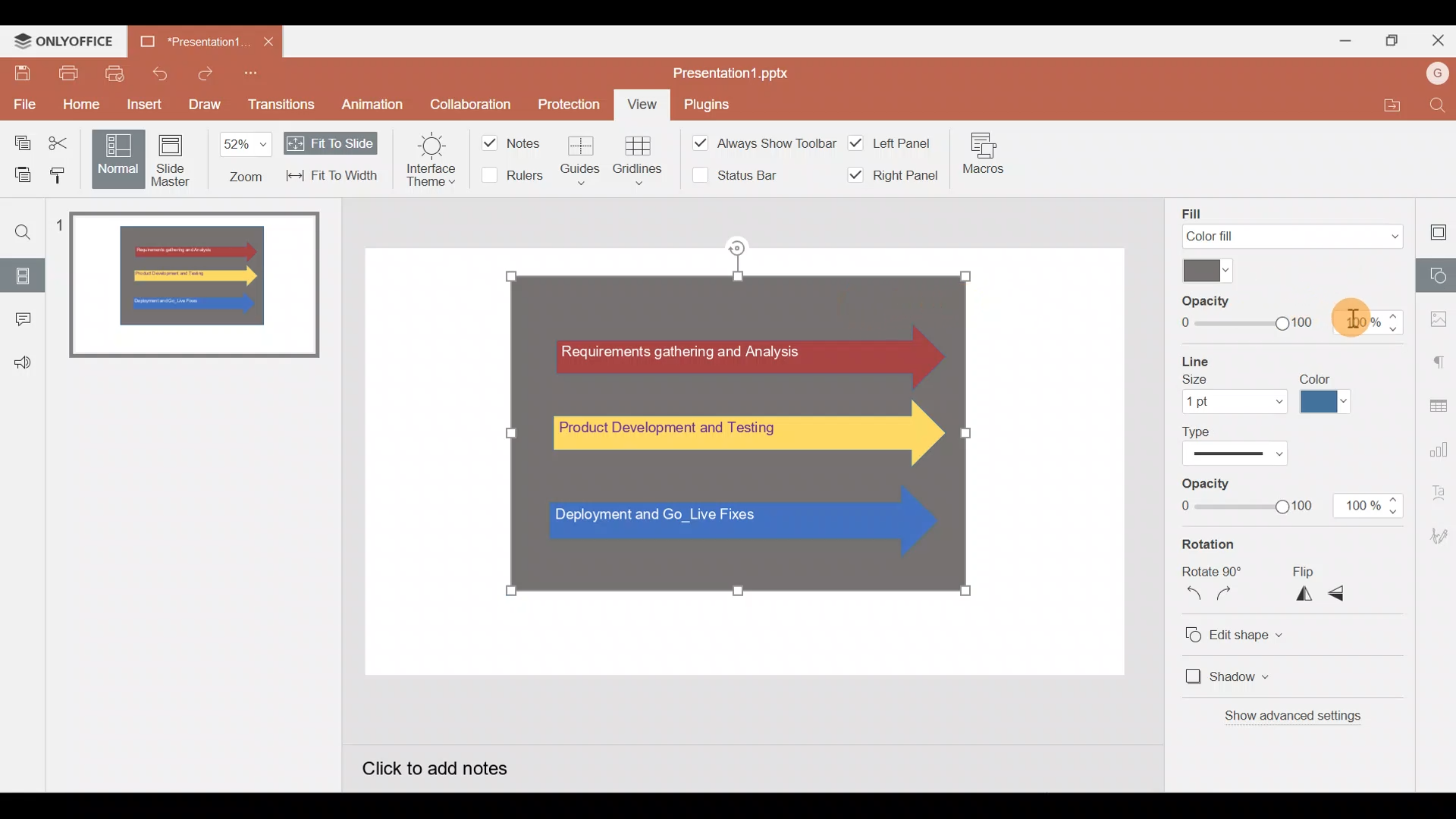 This screenshot has height=819, width=1456. I want to click on Transitions, so click(282, 105).